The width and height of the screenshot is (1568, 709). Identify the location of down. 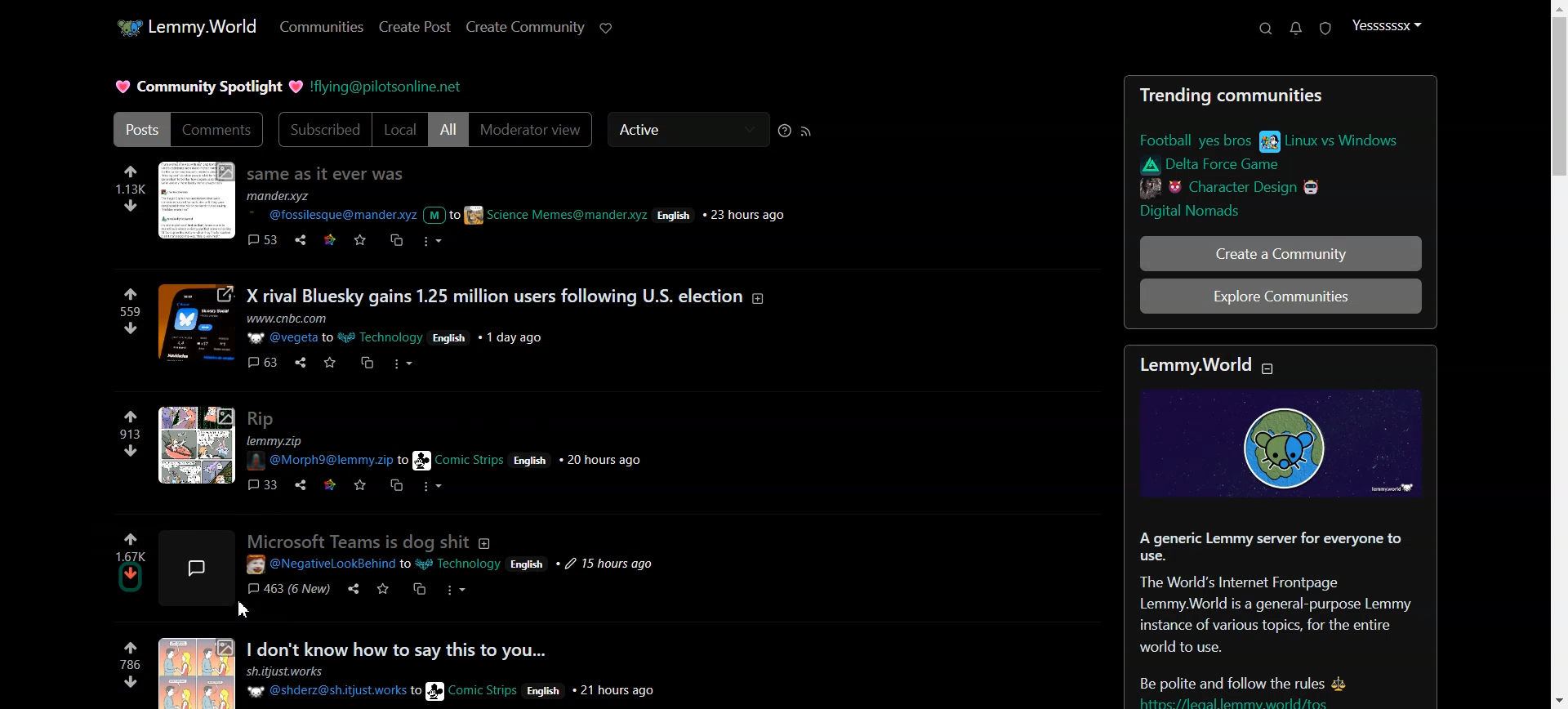
(131, 329).